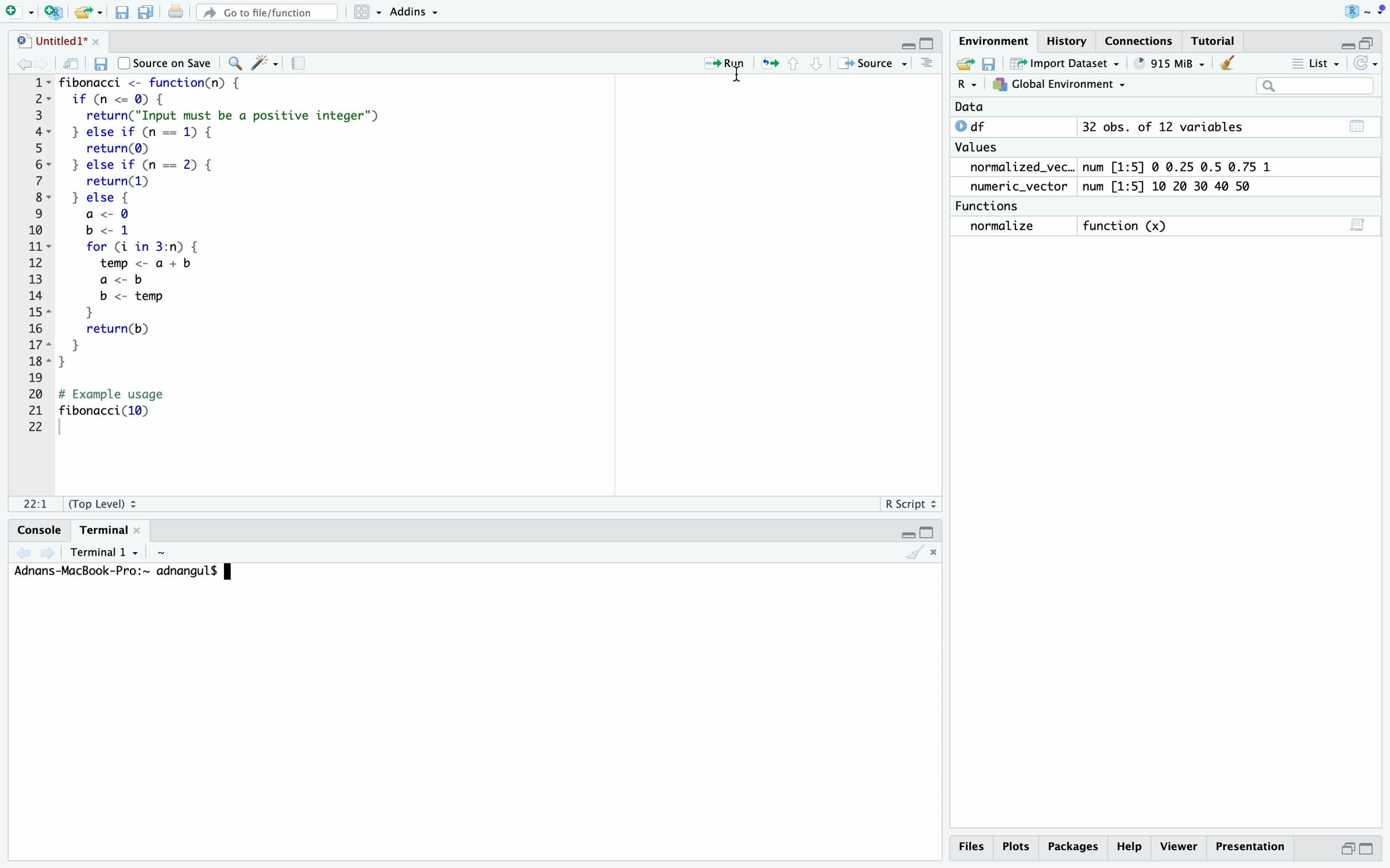  What do you see at coordinates (1175, 165) in the screenshot?
I see `num [1:5] 0 0.25 0.5 0.75 1` at bounding box center [1175, 165].